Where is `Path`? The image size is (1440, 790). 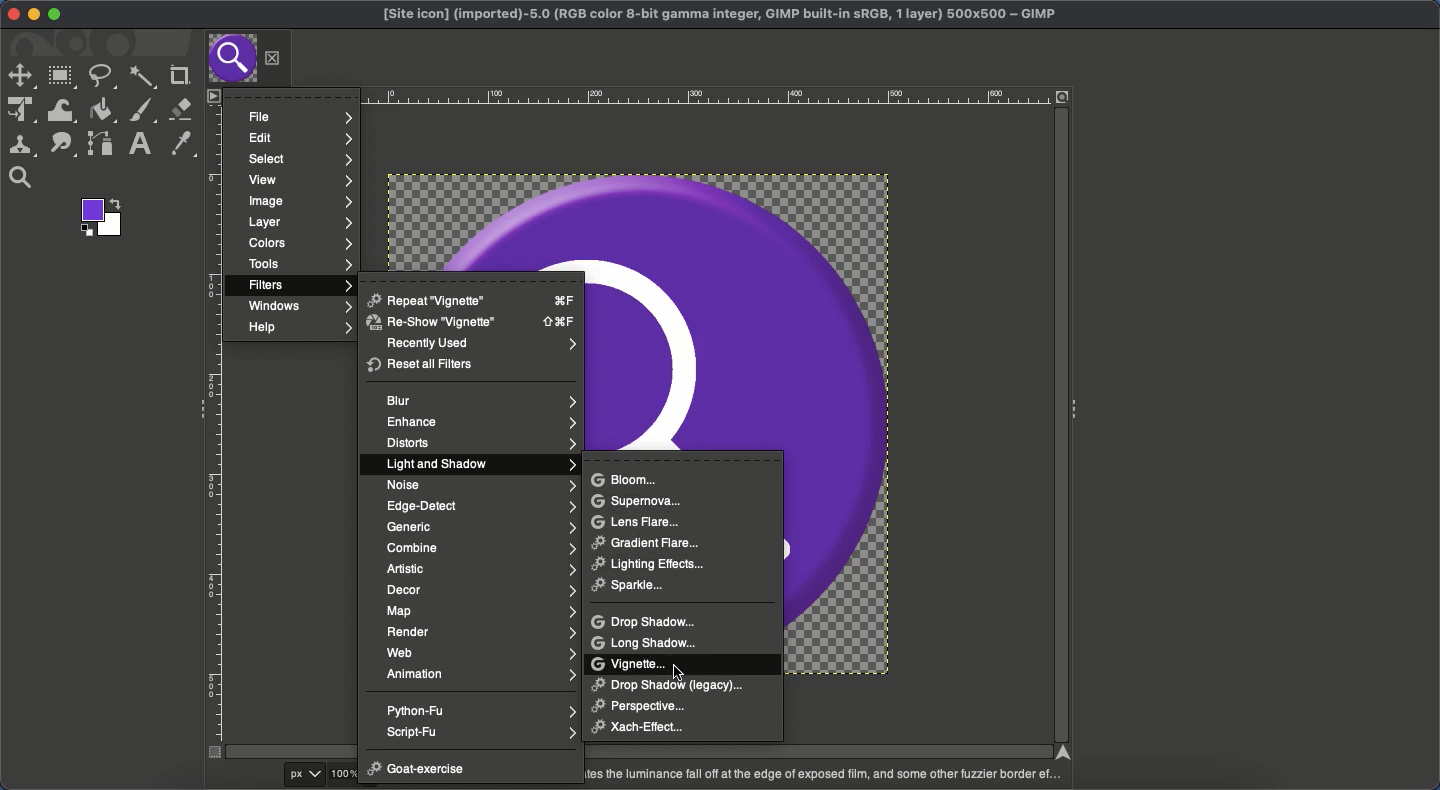
Path is located at coordinates (101, 143).